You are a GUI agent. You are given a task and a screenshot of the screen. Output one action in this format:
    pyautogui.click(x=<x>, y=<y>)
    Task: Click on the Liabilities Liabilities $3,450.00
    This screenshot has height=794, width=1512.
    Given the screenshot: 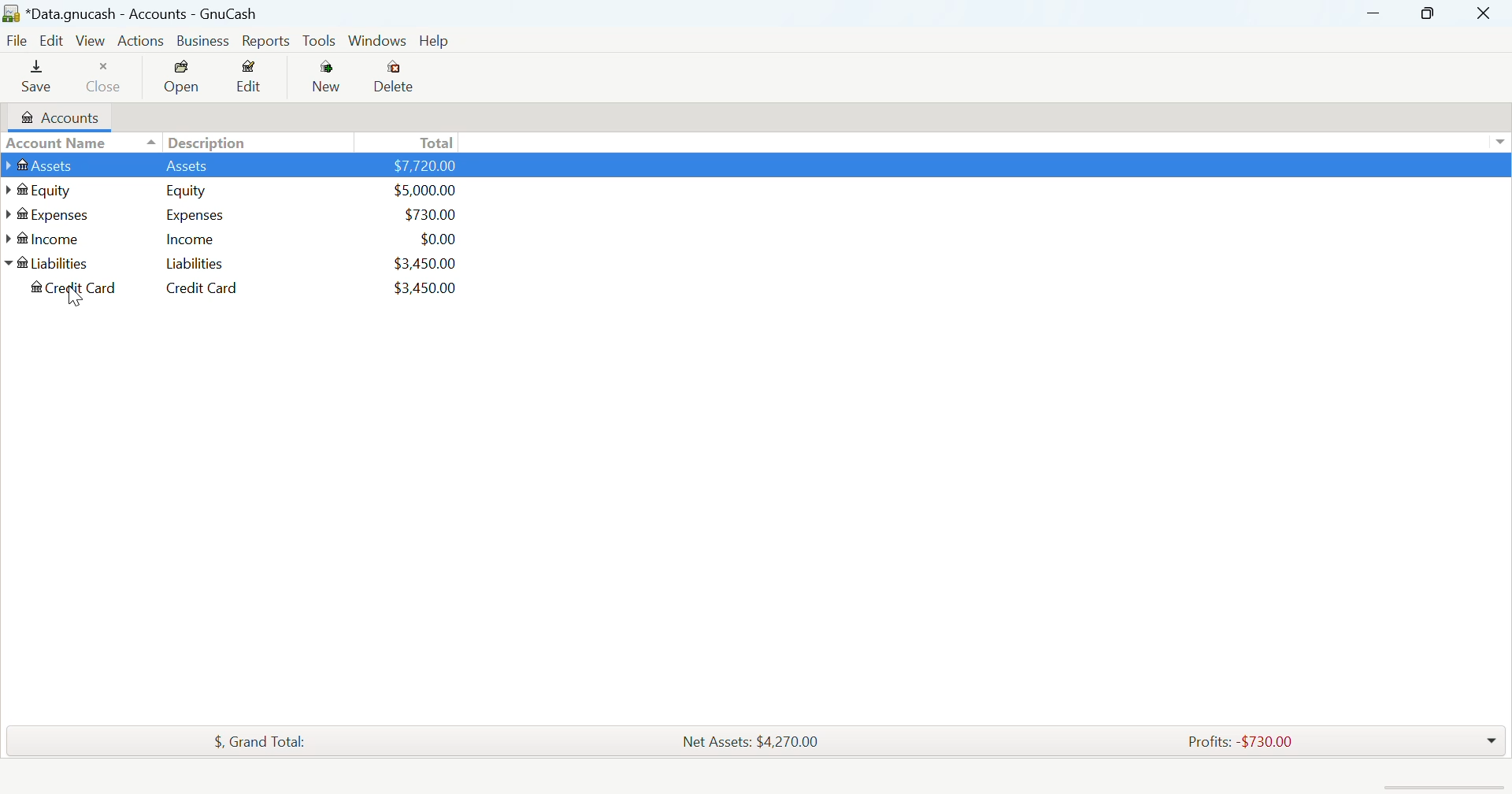 What is the action you would take?
    pyautogui.click(x=240, y=268)
    